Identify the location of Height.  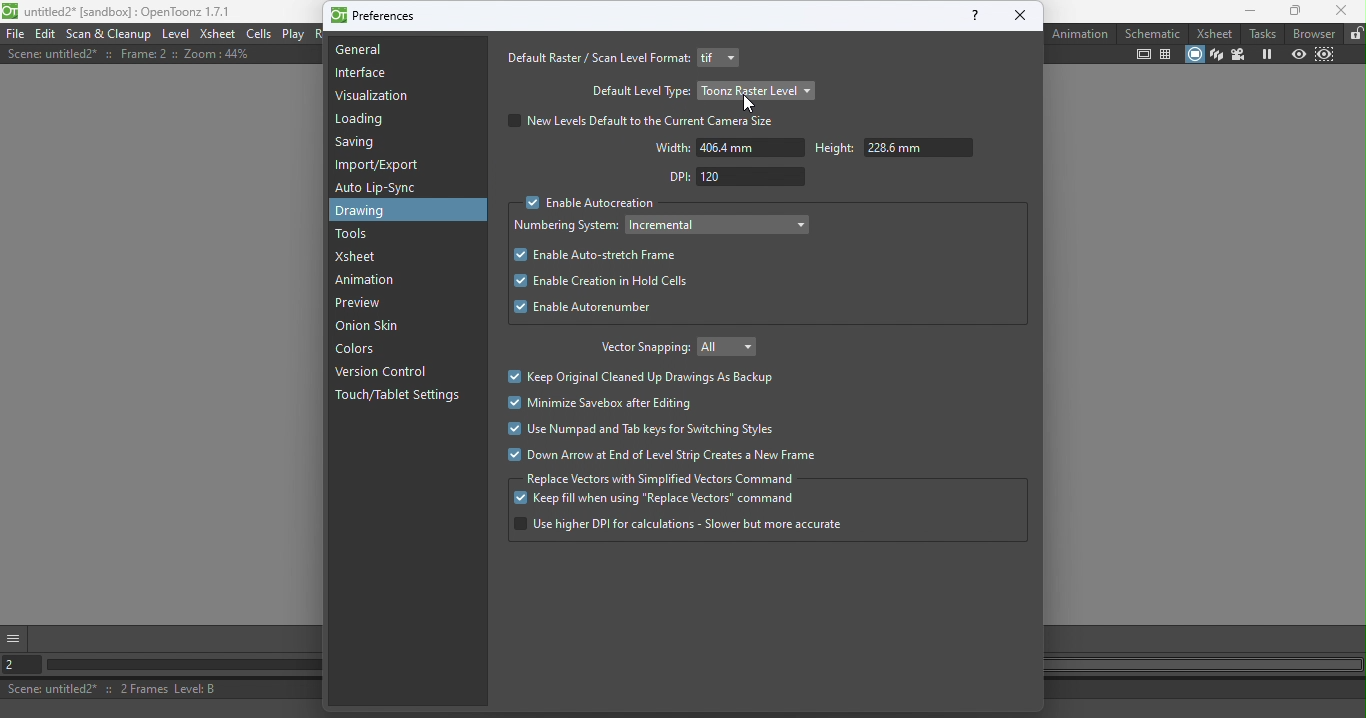
(890, 148).